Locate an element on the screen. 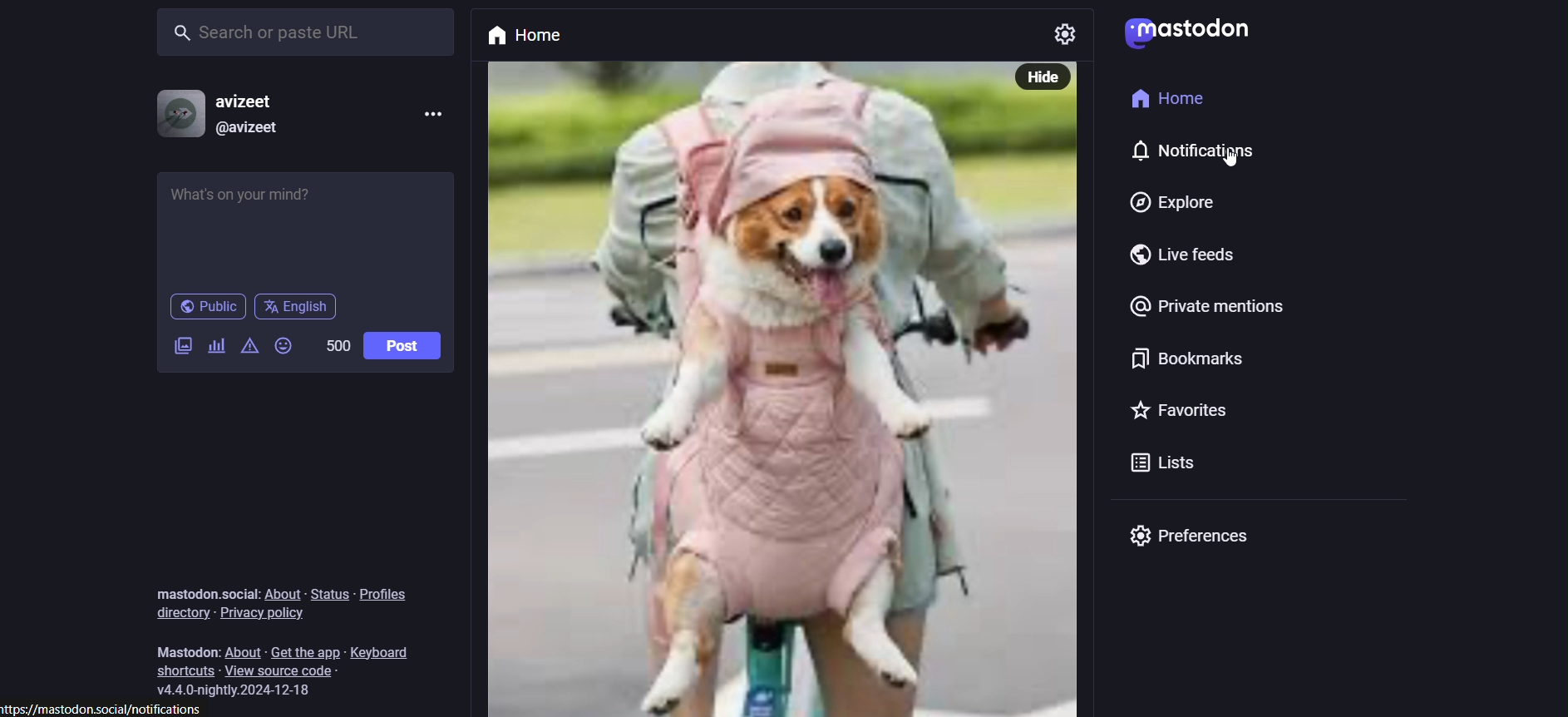 Image resolution: width=1568 pixels, height=717 pixels. directory is located at coordinates (179, 613).